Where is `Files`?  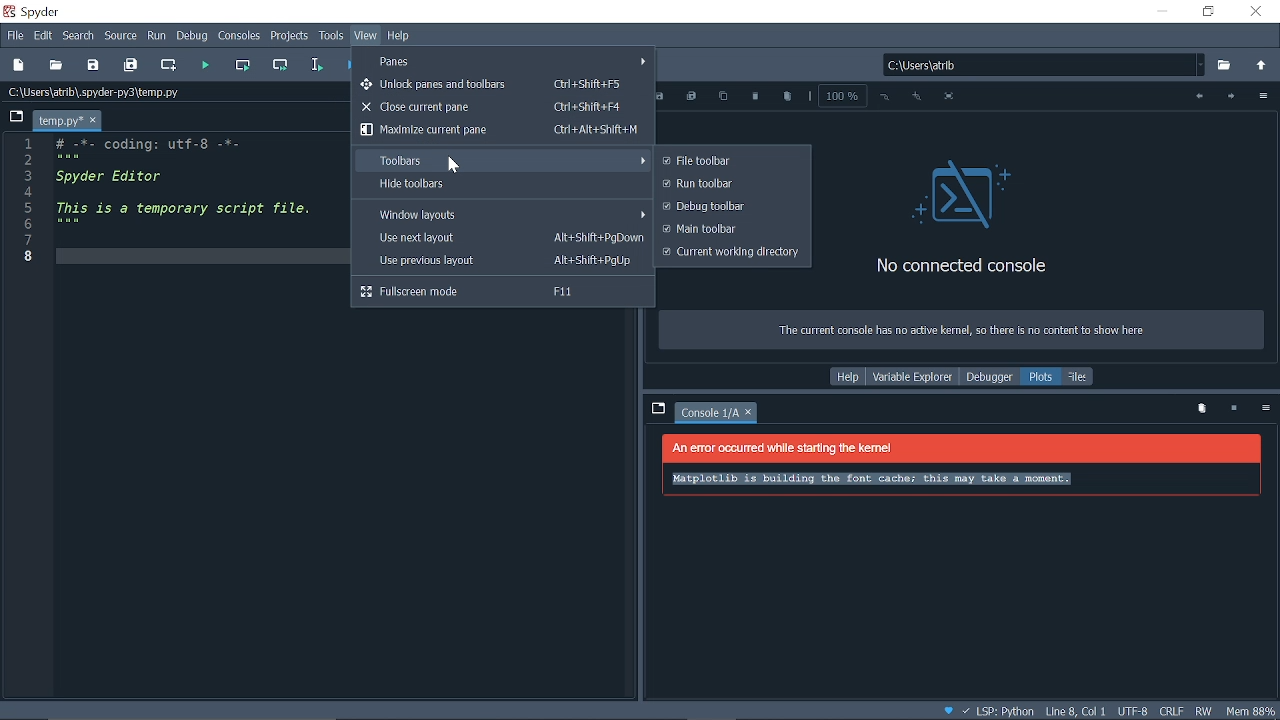 Files is located at coordinates (1079, 376).